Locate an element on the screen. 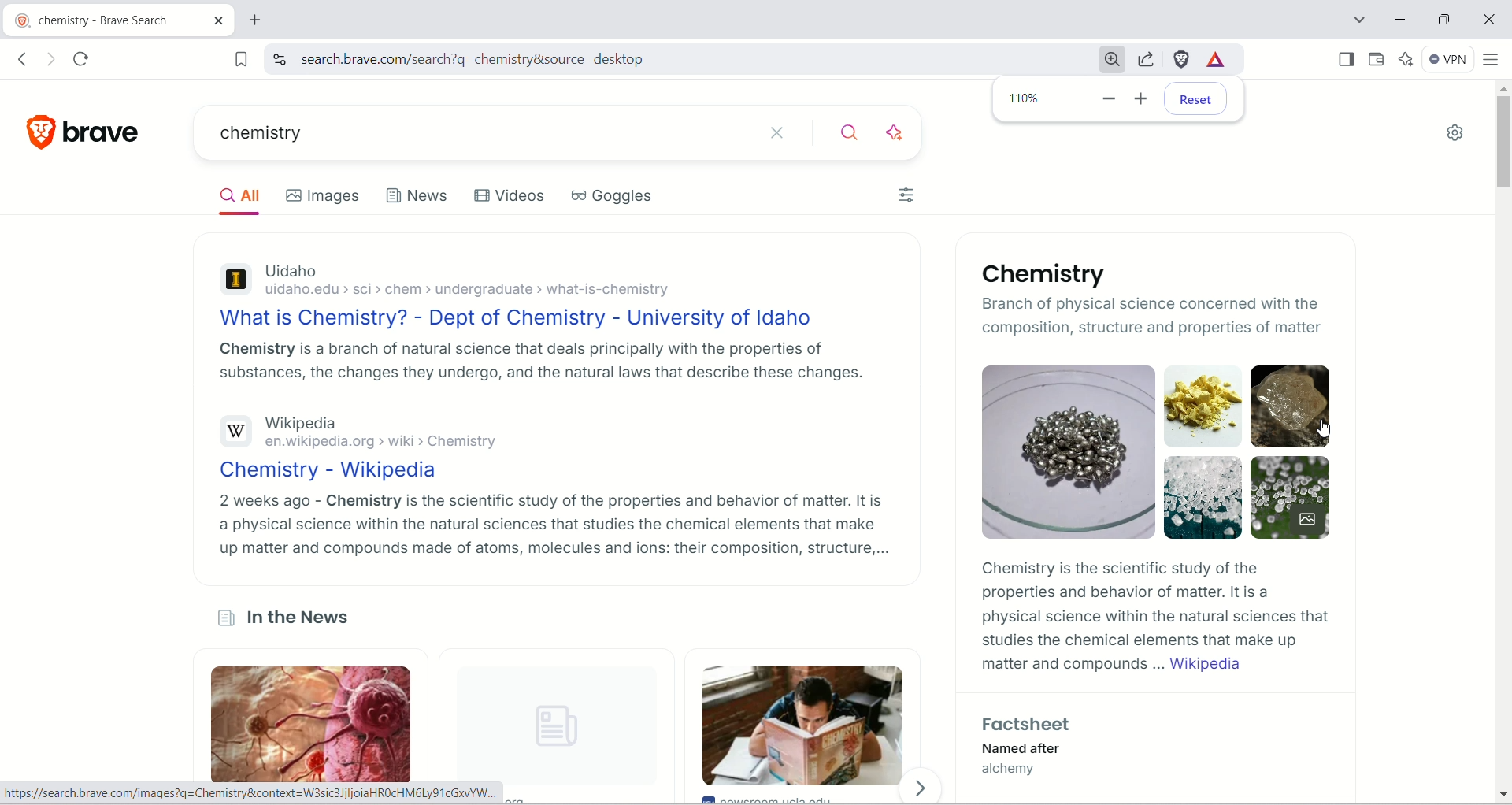 This screenshot has width=1512, height=805. zoom out is located at coordinates (1107, 99).